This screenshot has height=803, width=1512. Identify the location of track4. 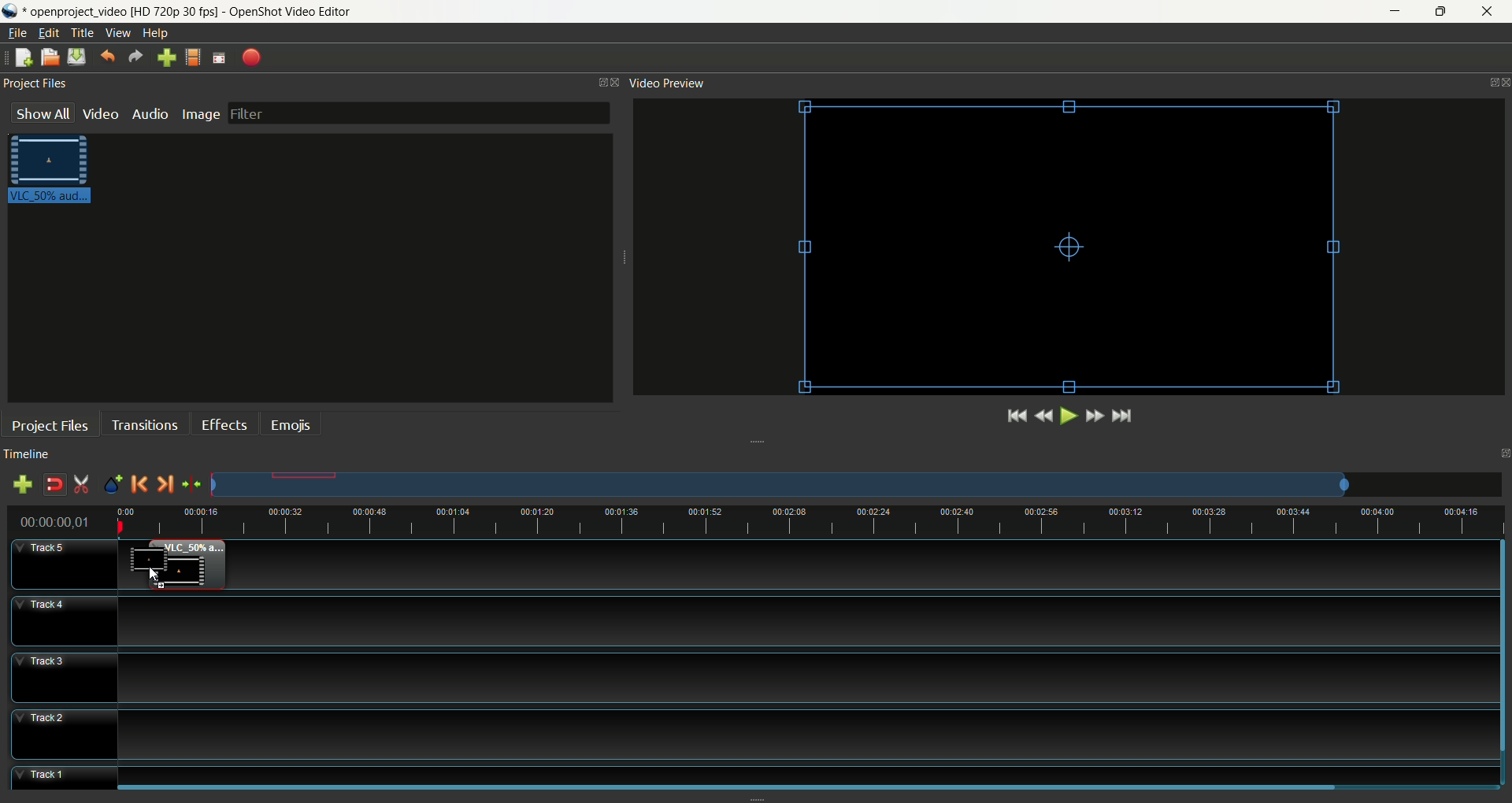
(754, 620).